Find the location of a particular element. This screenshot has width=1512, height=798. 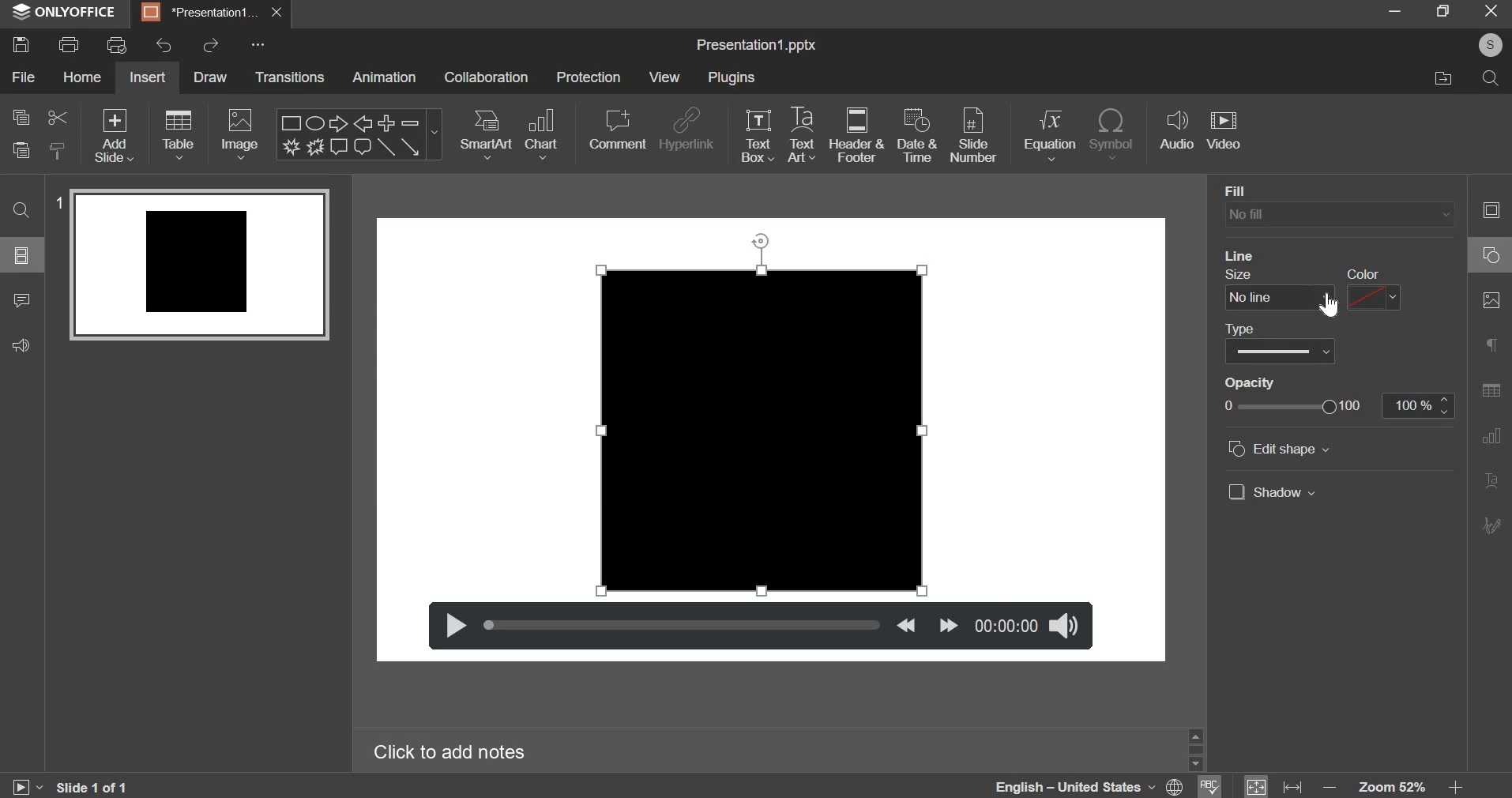

color is located at coordinates (1375, 298).